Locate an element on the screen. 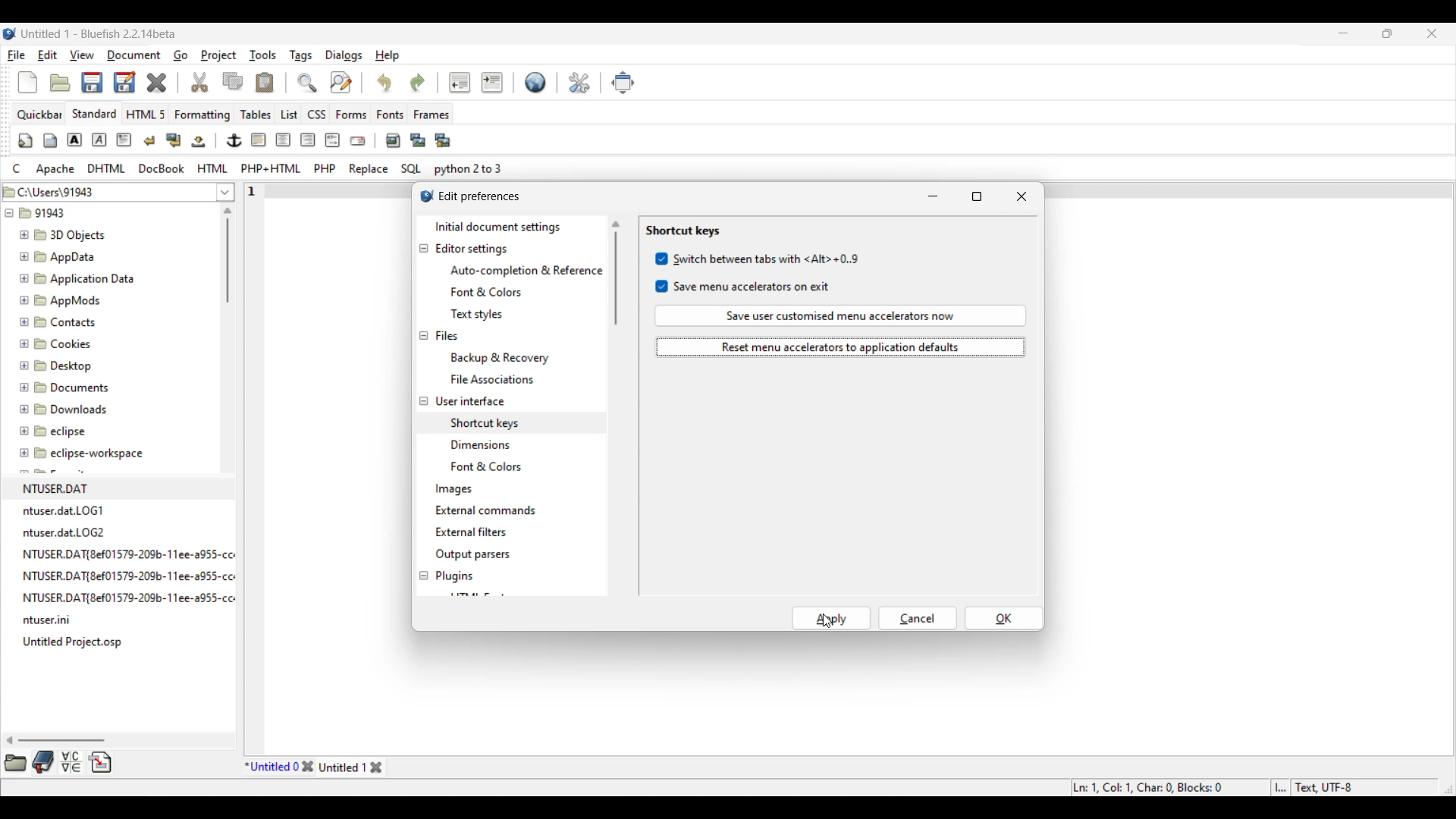 The image size is (1456, 819). Contacts is located at coordinates (61, 321).